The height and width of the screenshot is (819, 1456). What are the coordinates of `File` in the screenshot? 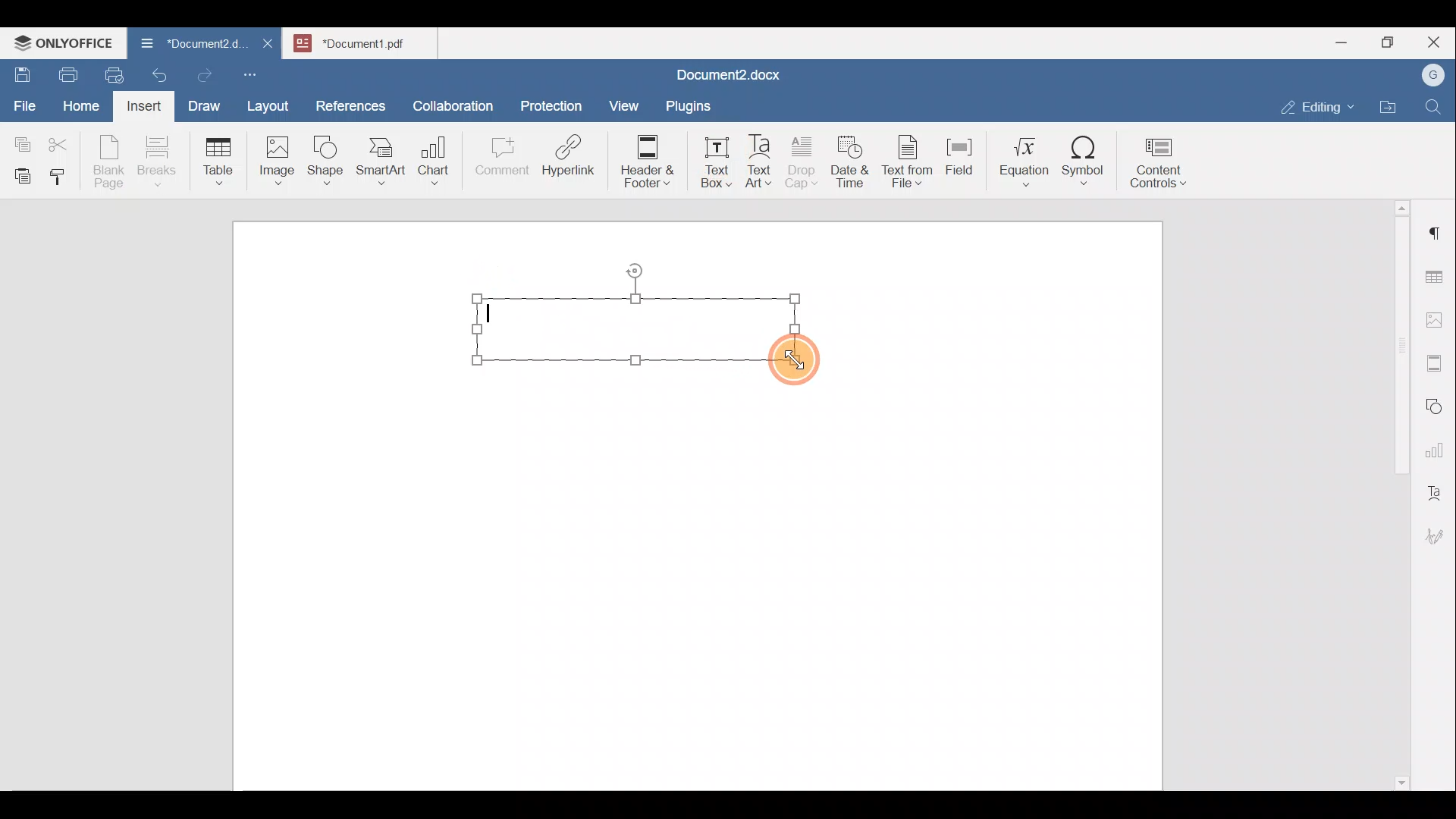 It's located at (26, 101).